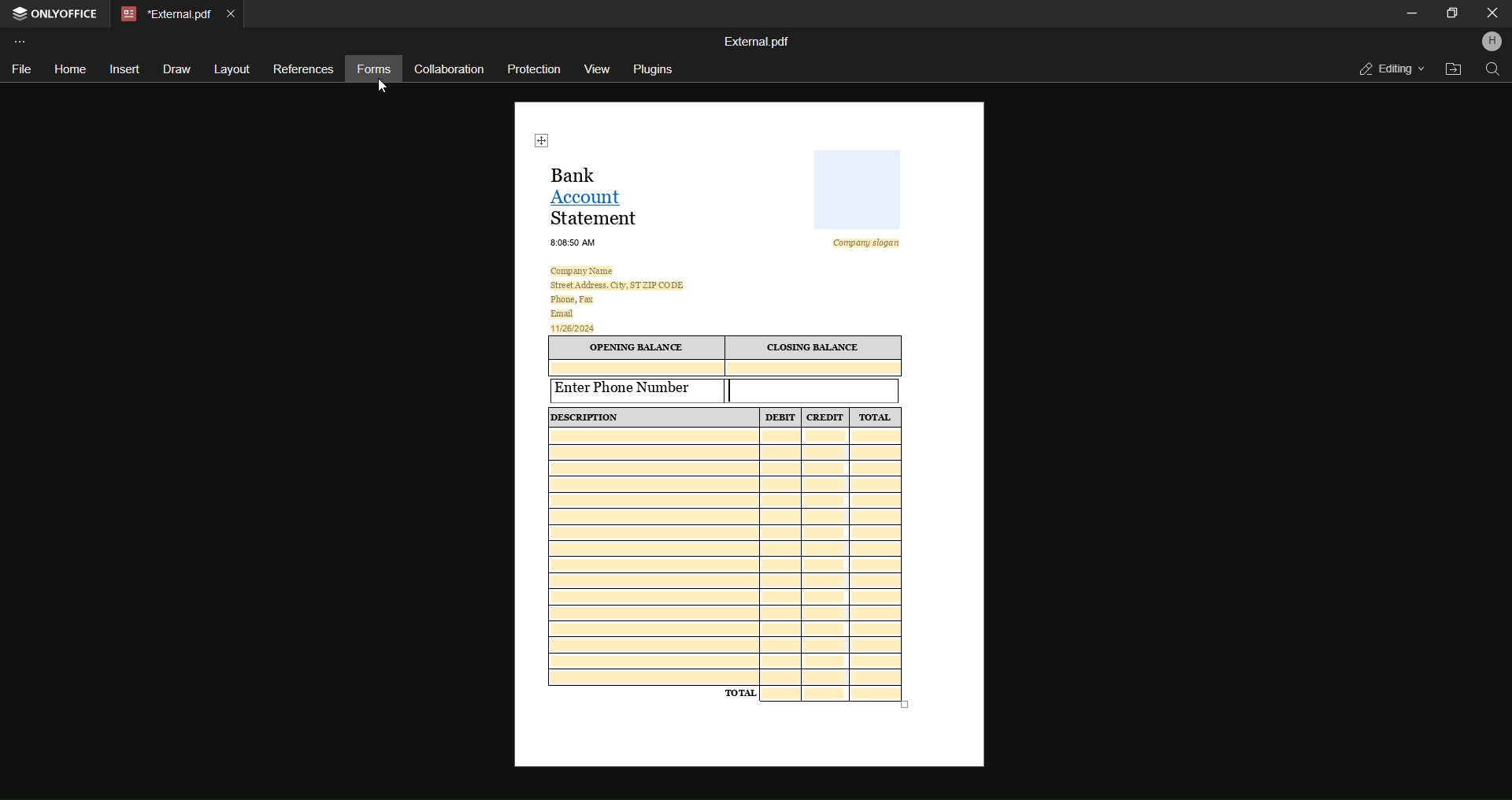 The image size is (1512, 800). What do you see at coordinates (1453, 69) in the screenshot?
I see `open file location` at bounding box center [1453, 69].